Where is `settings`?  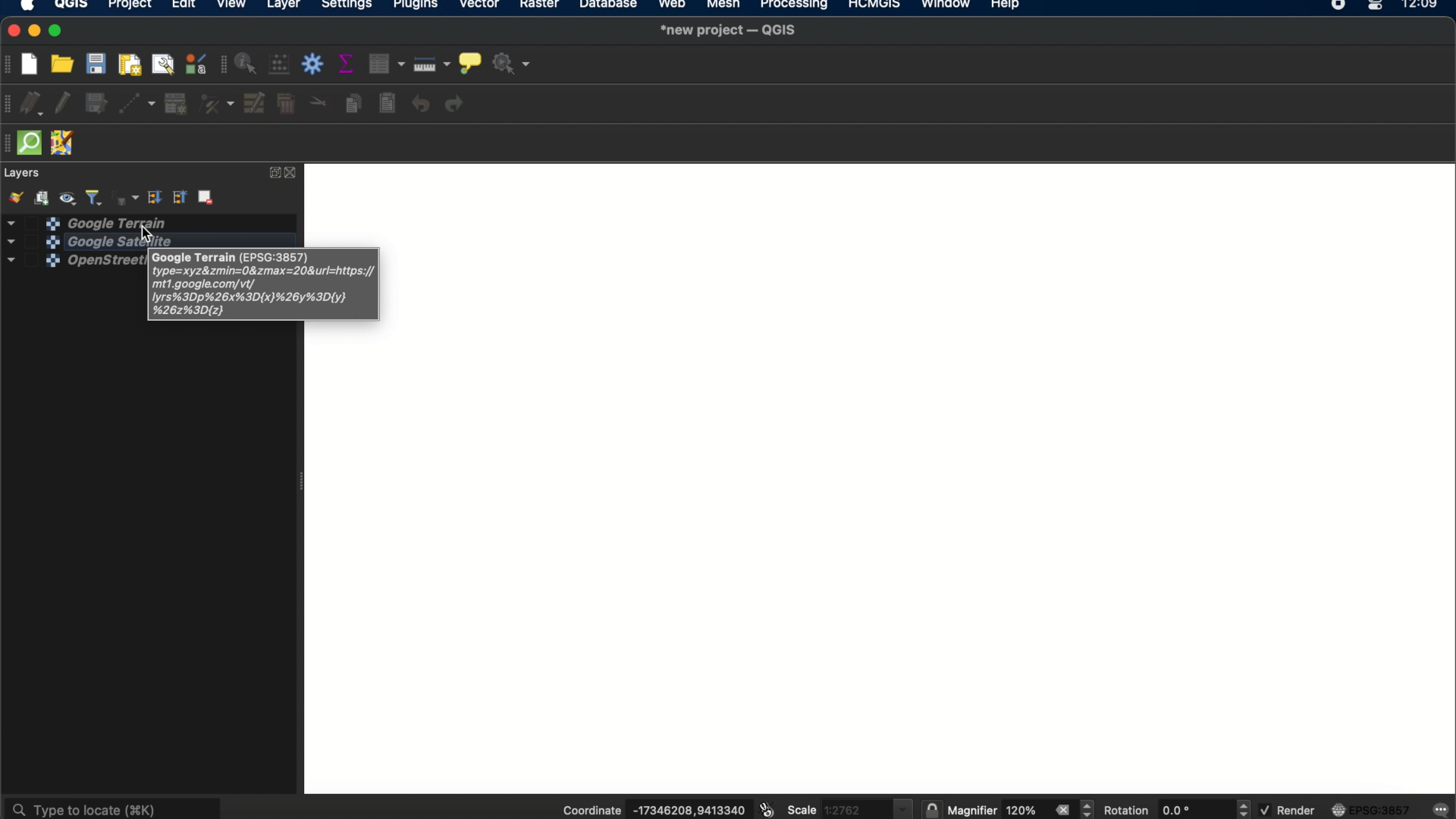 settings is located at coordinates (347, 6).